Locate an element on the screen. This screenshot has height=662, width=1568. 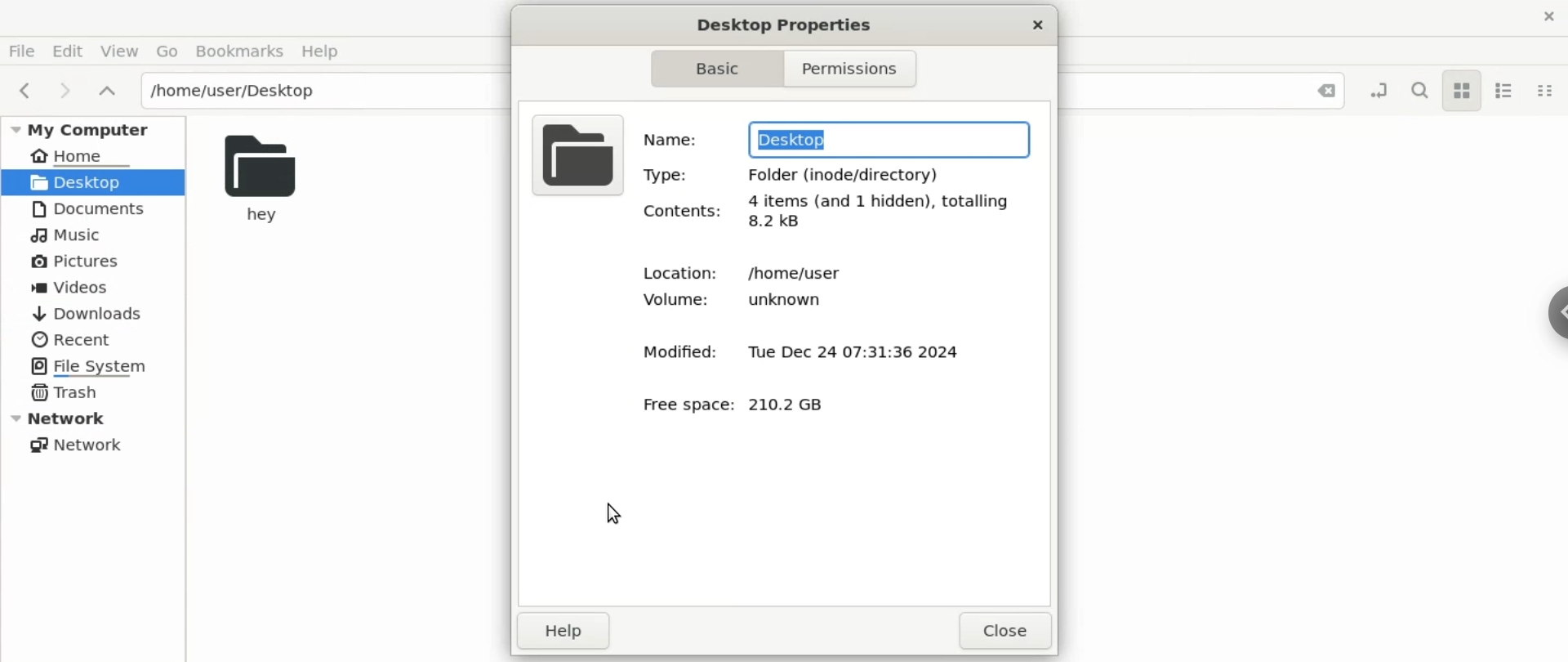
unknown is located at coordinates (778, 302).